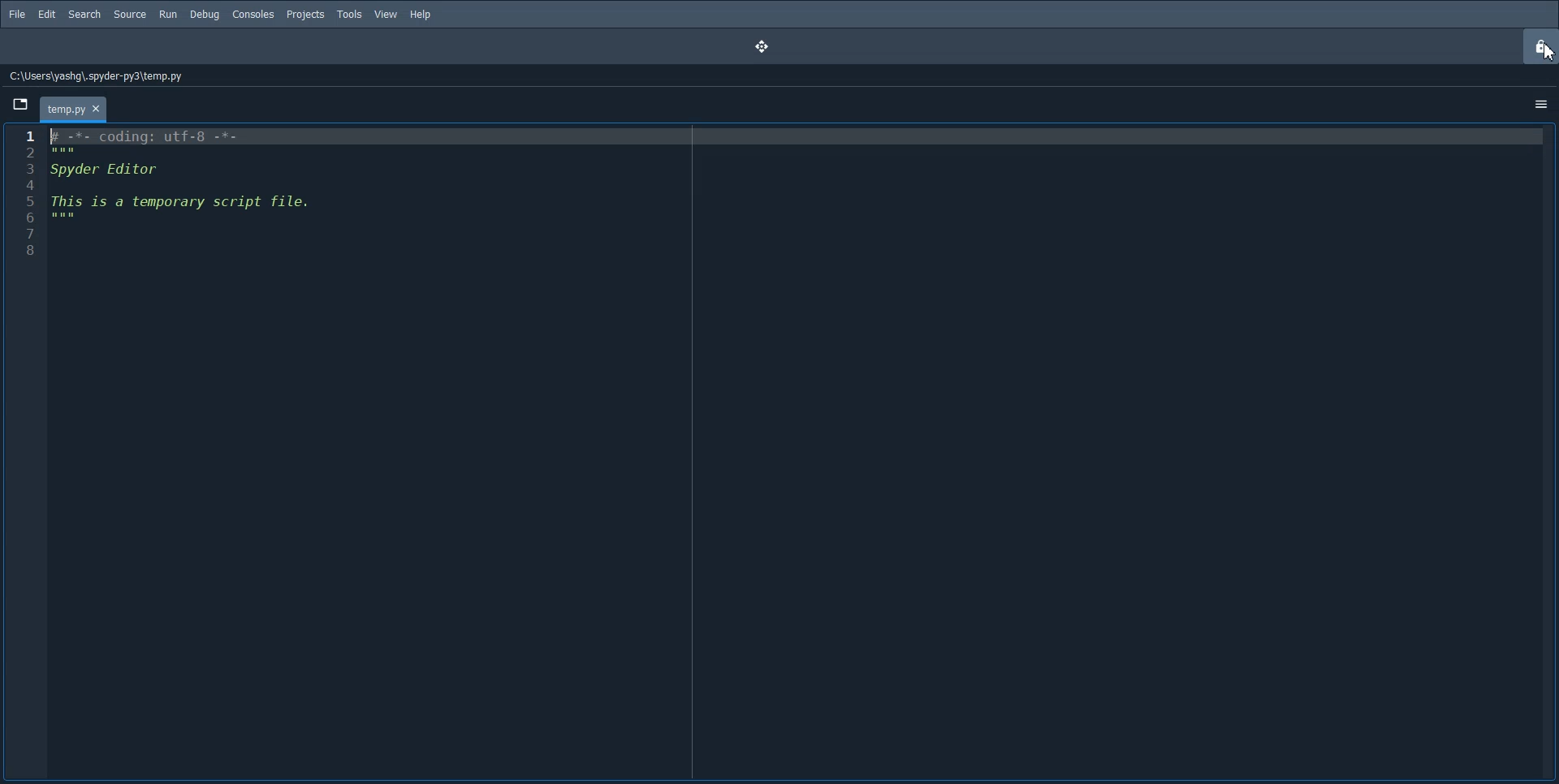 The height and width of the screenshot is (784, 1559). I want to click on Source, so click(129, 13).